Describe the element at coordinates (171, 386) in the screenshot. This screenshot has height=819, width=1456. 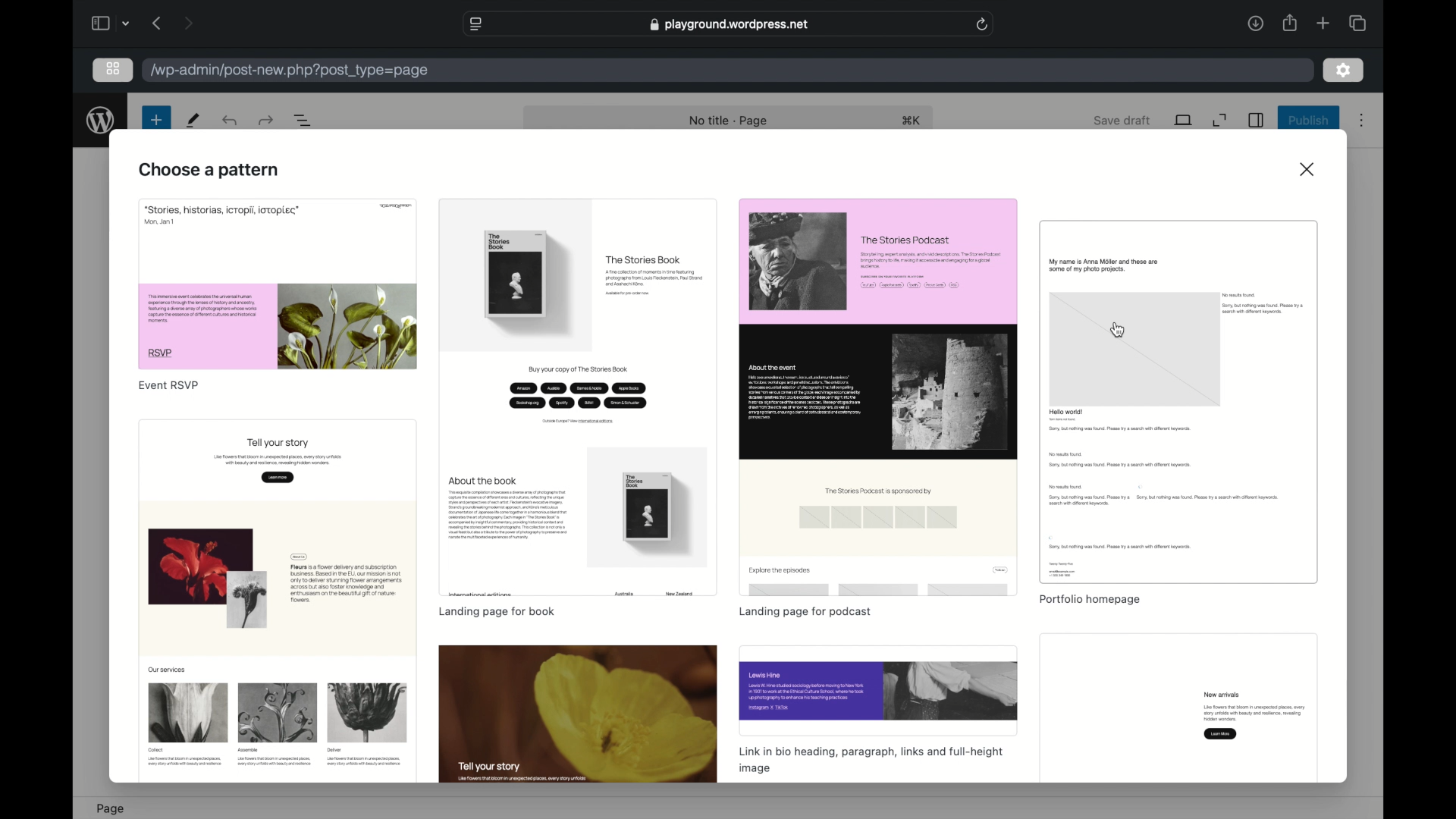
I see `event rsvp` at that location.